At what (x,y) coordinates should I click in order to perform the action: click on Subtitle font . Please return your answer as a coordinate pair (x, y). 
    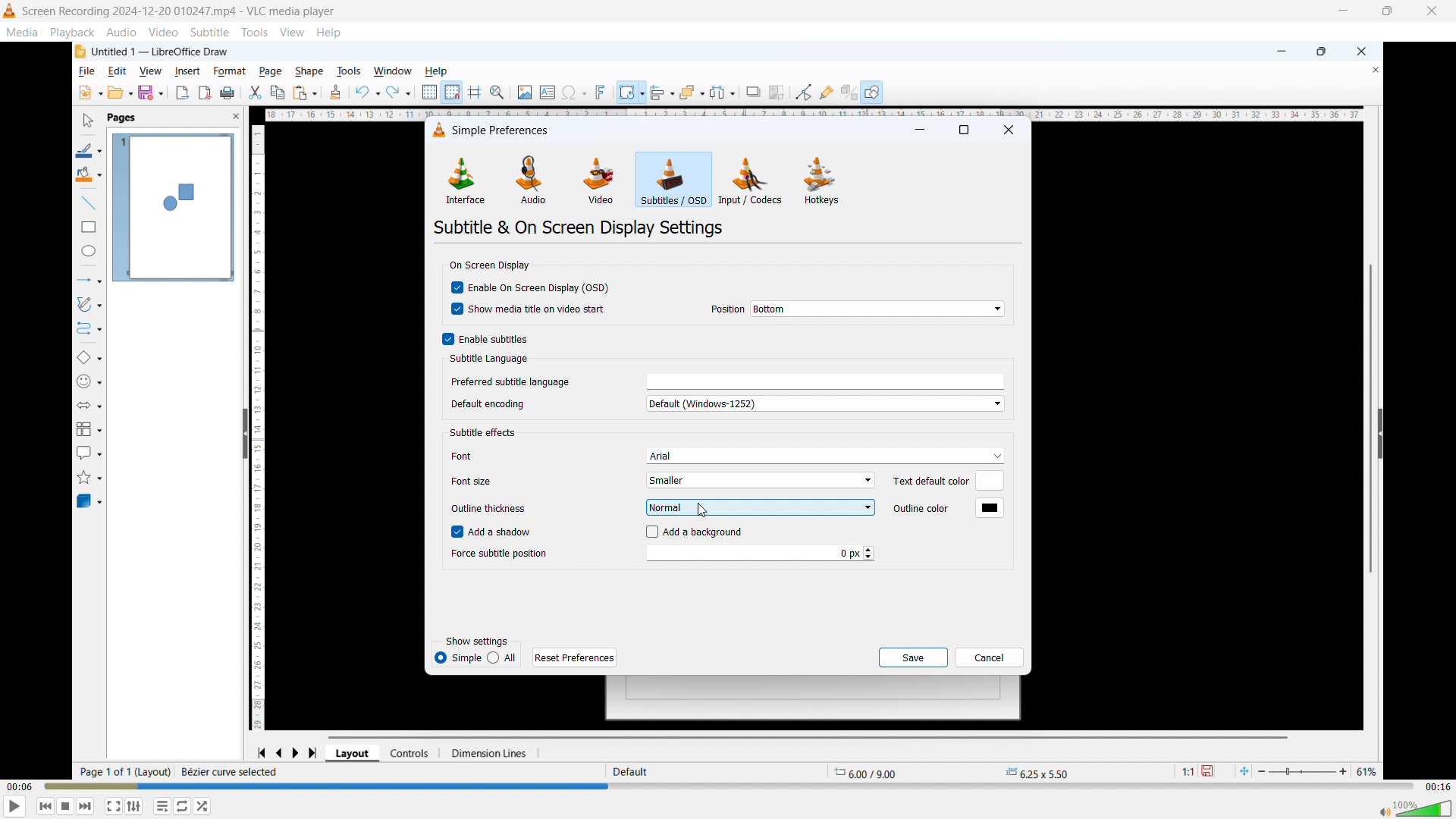
    Looking at the image, I should click on (824, 457).